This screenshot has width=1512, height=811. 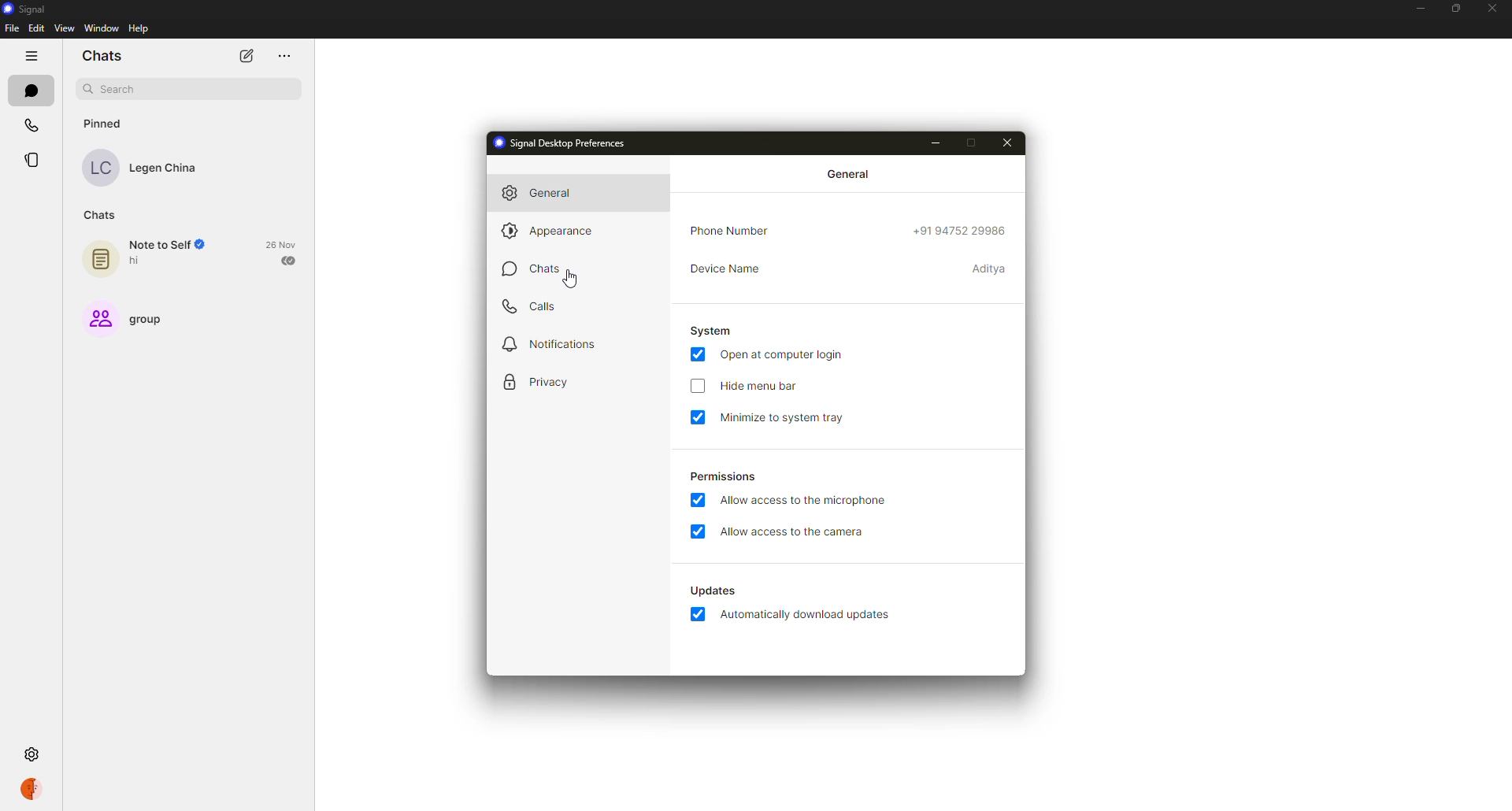 I want to click on signal, so click(x=30, y=10).